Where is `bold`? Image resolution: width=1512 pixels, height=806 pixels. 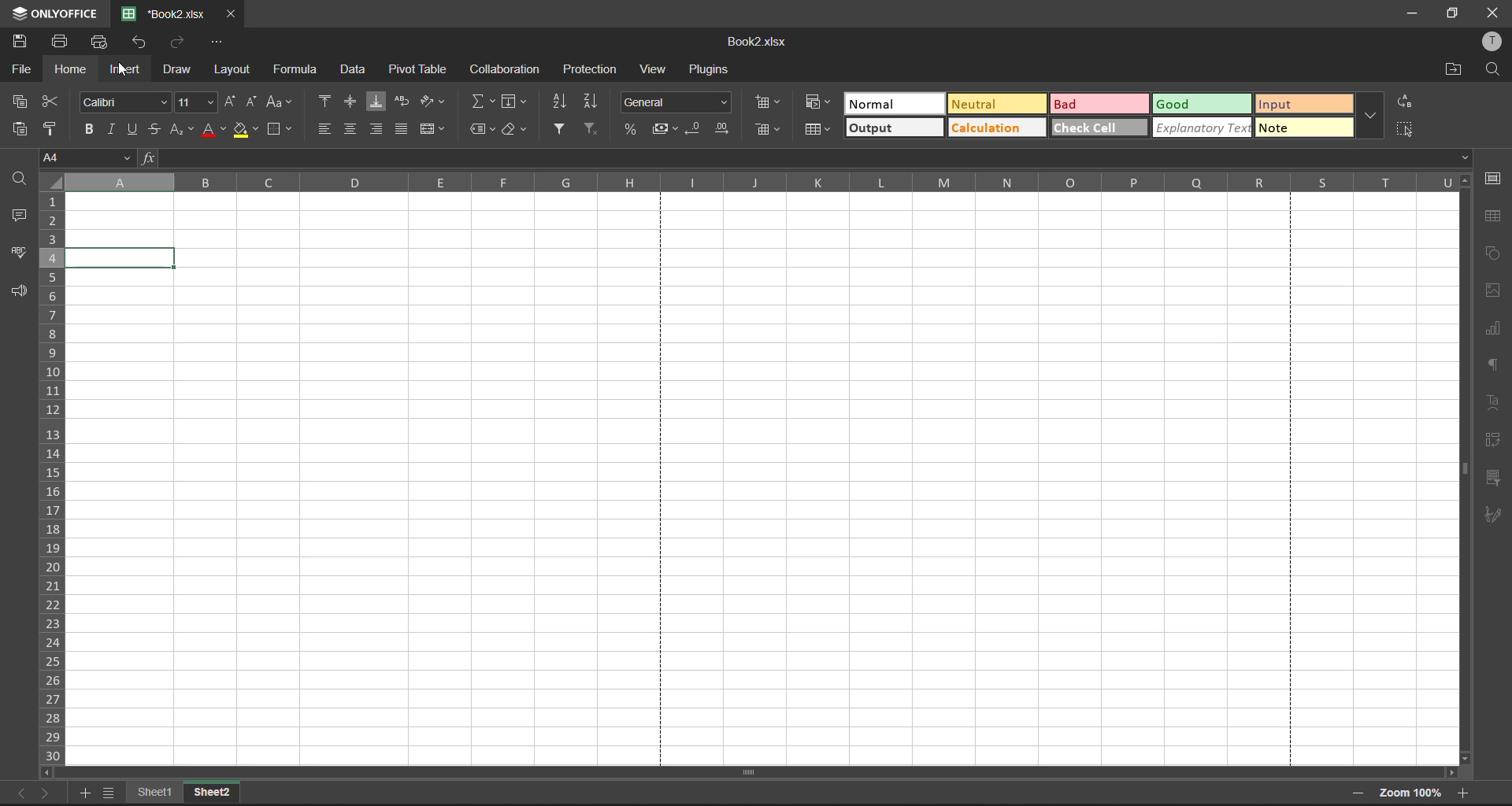
bold is located at coordinates (86, 130).